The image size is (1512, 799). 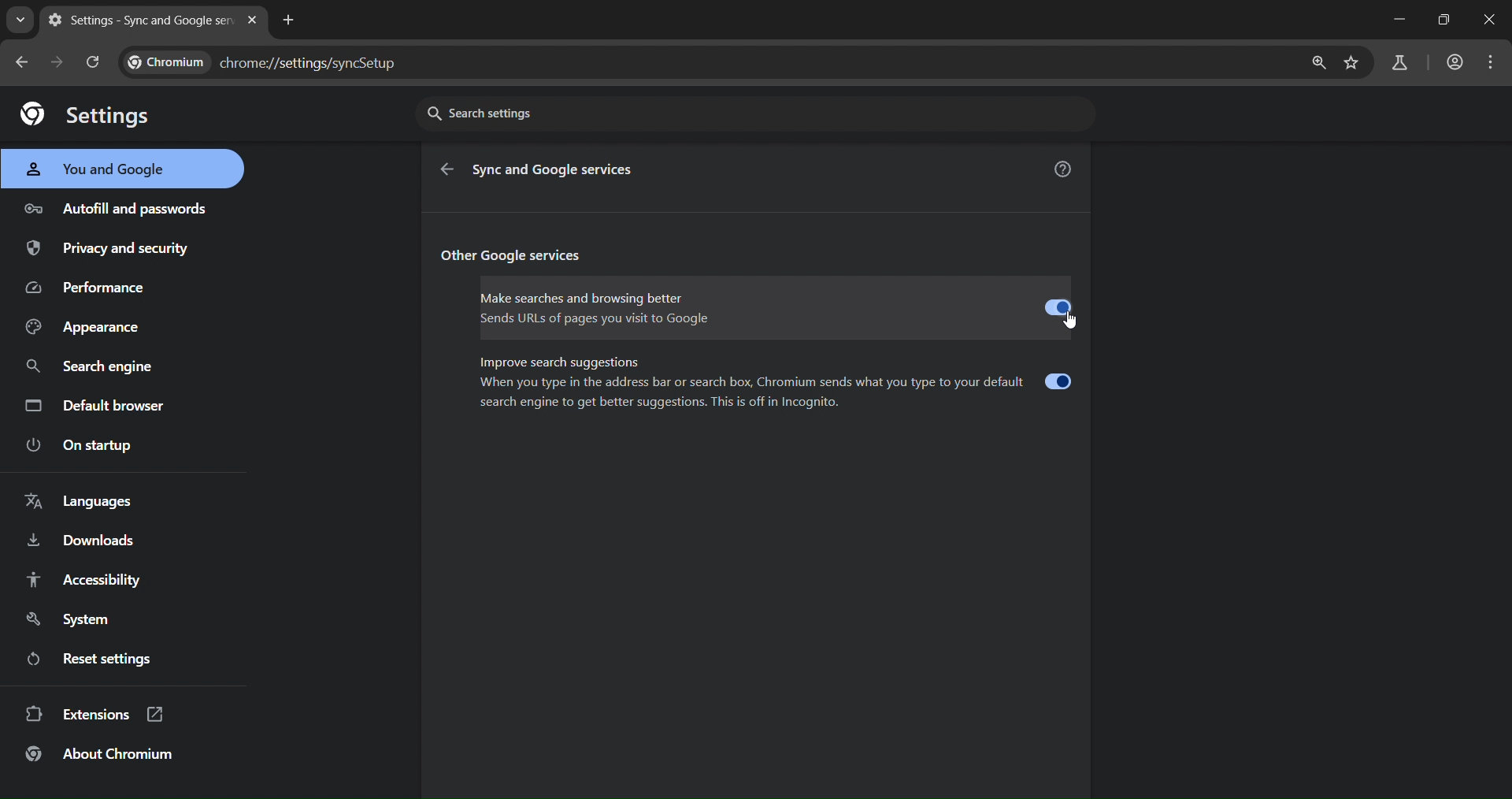 I want to click on appearance, so click(x=88, y=328).